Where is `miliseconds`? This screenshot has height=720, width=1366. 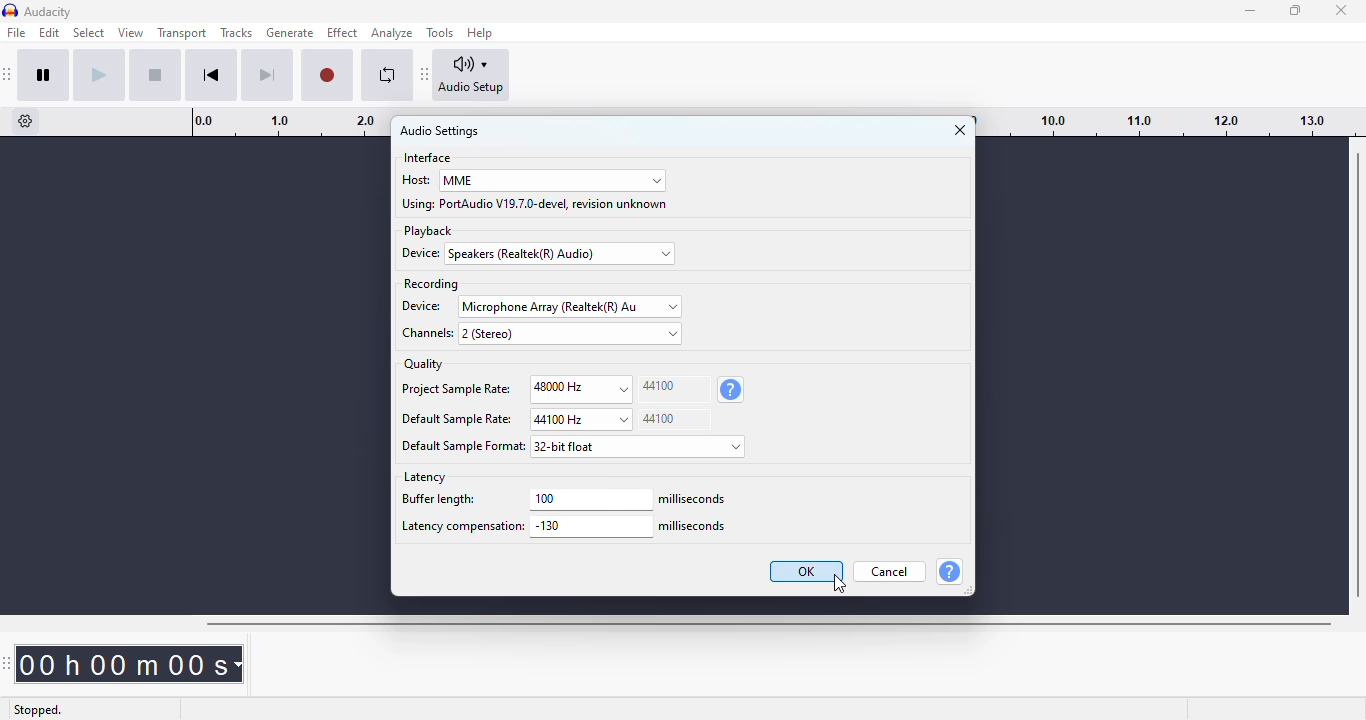 miliseconds is located at coordinates (694, 499).